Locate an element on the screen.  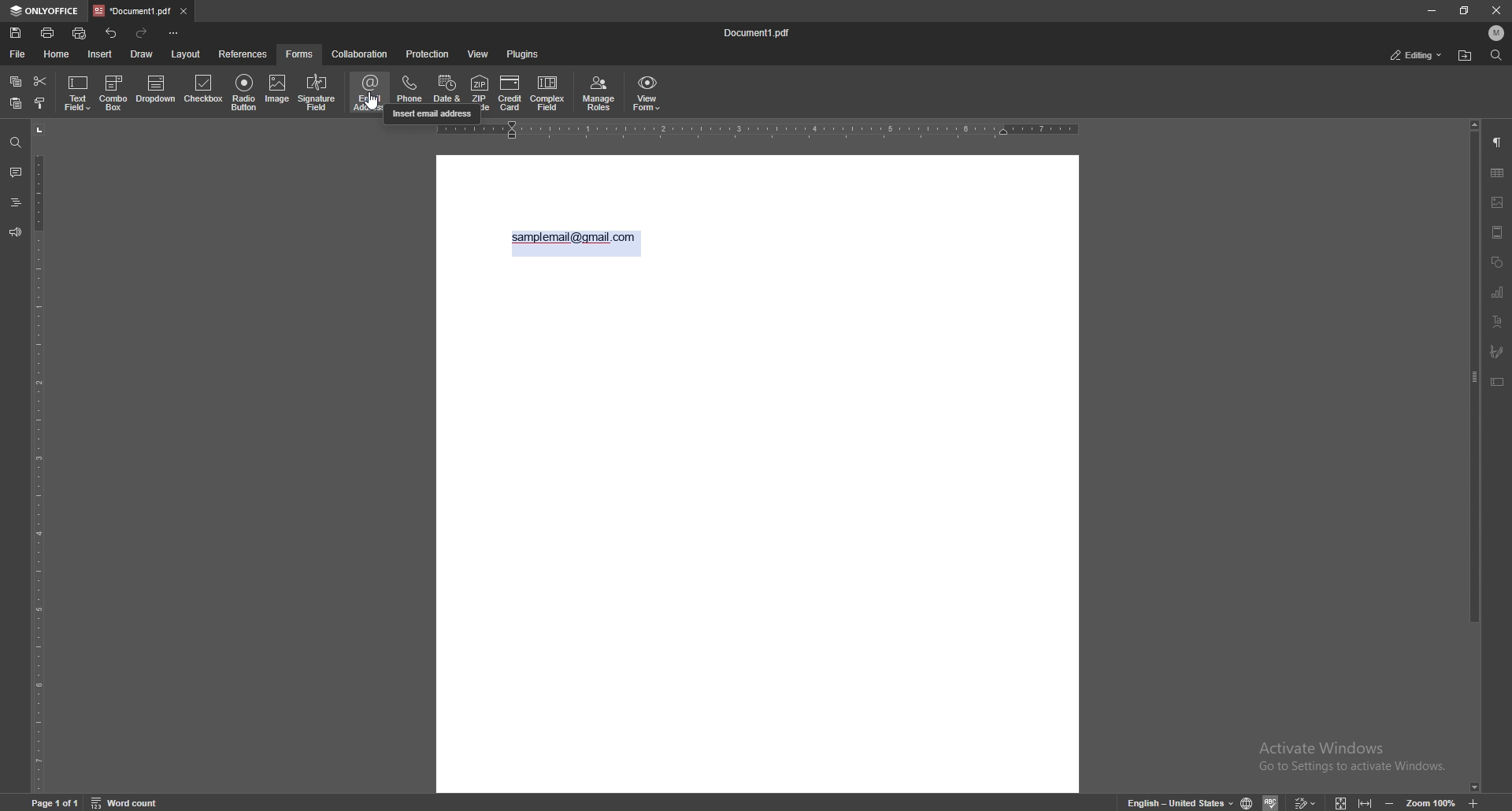
zoom out is located at coordinates (1392, 802).